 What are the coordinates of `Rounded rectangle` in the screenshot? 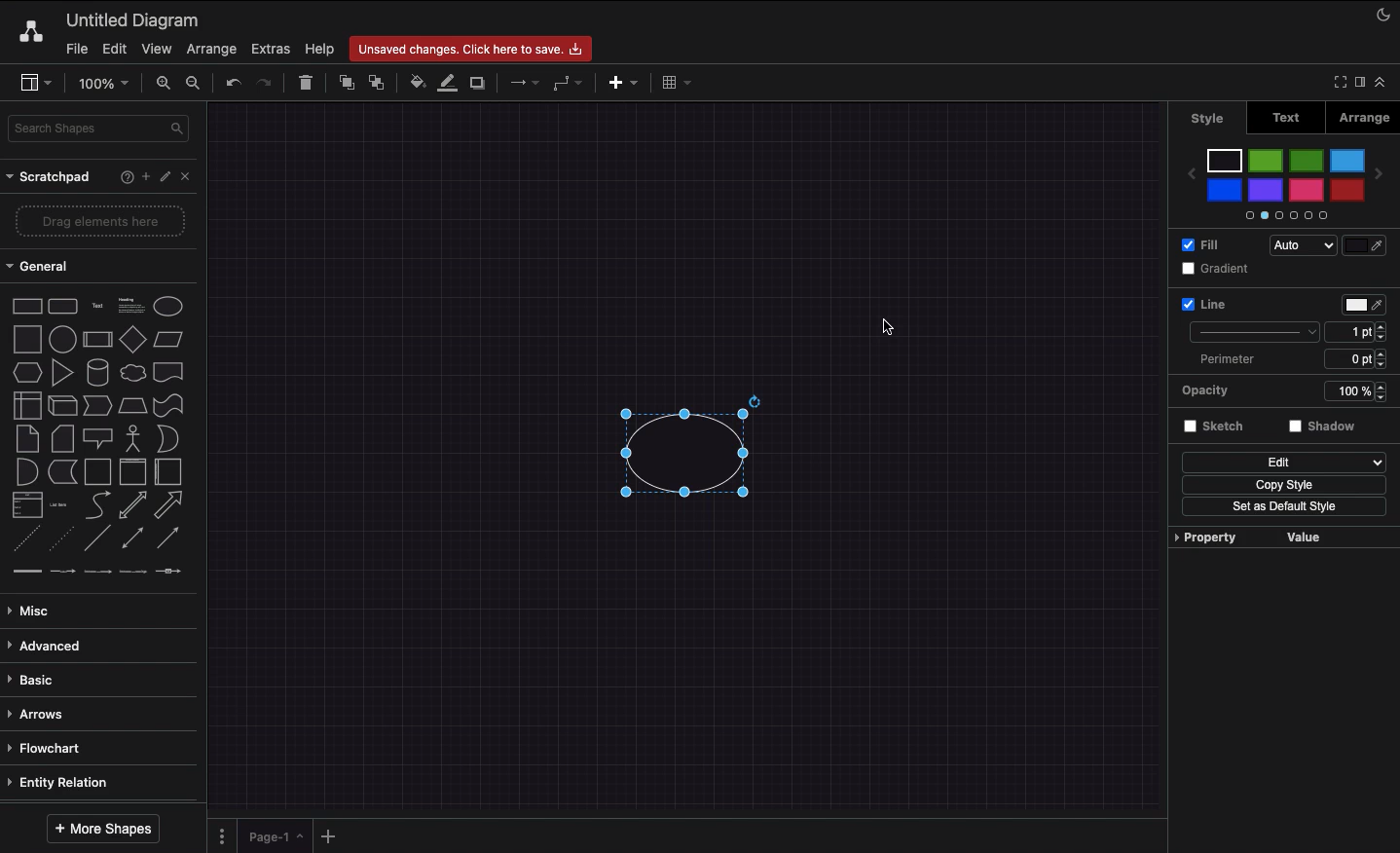 It's located at (63, 305).